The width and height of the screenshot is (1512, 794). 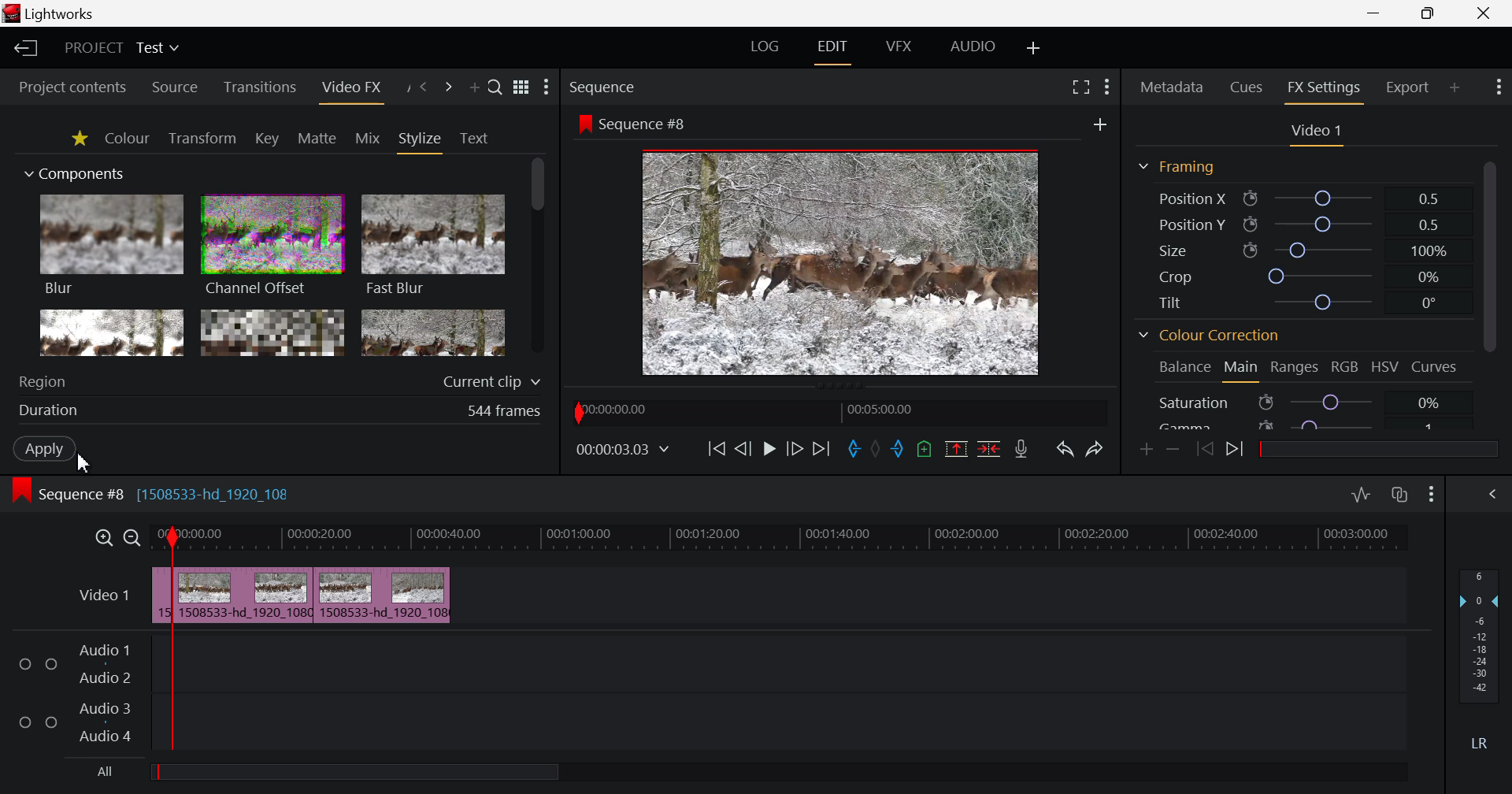 What do you see at coordinates (1400, 495) in the screenshot?
I see `Toggle auto track sync` at bounding box center [1400, 495].